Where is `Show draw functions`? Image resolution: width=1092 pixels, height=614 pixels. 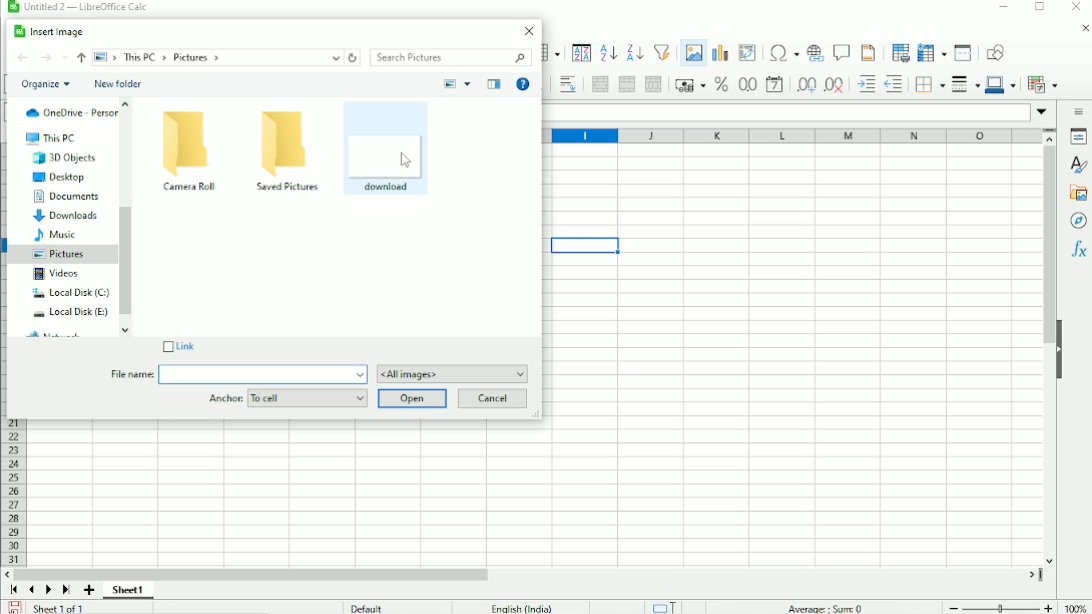
Show draw functions is located at coordinates (995, 52).